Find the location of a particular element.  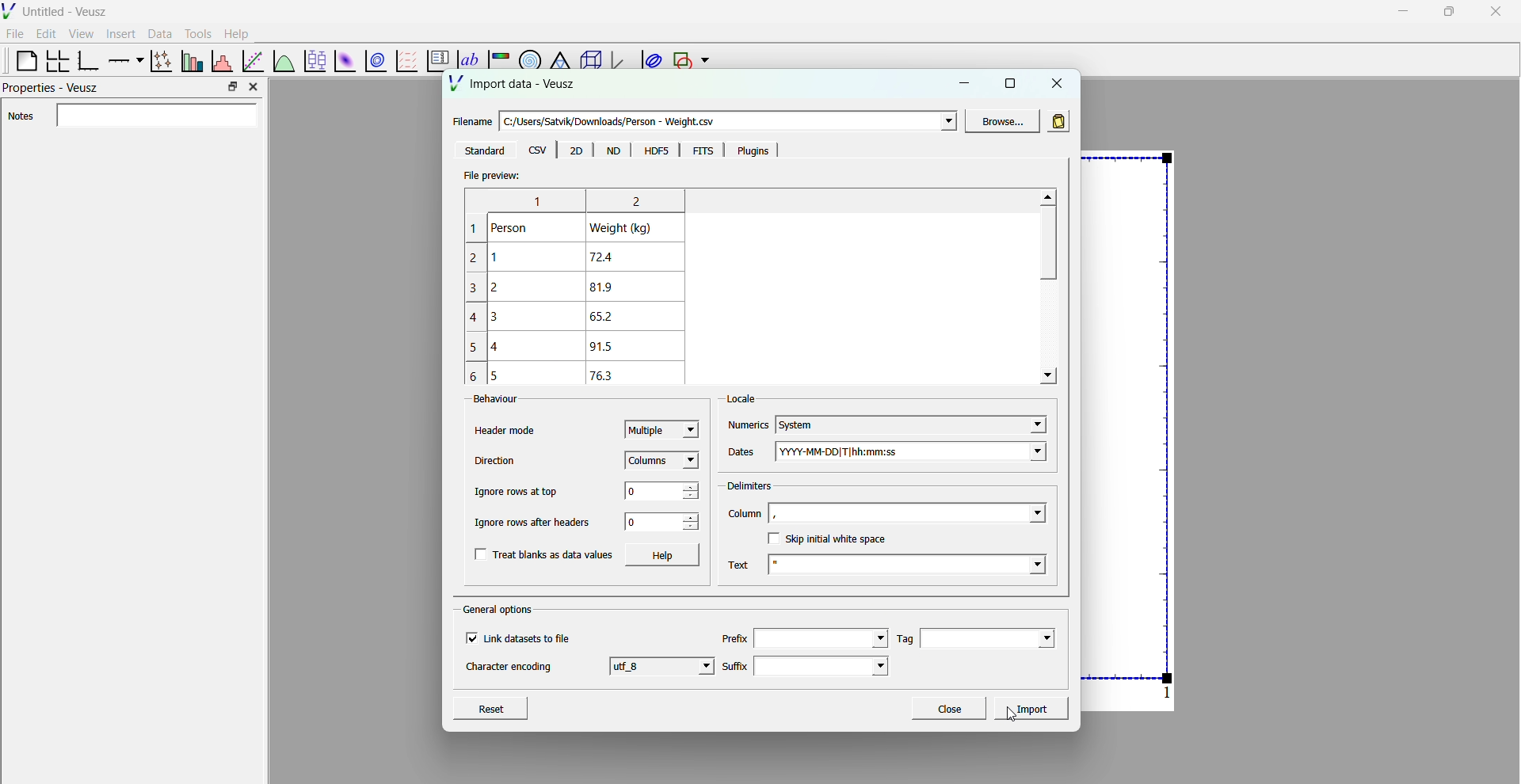

0 is located at coordinates (641, 491).